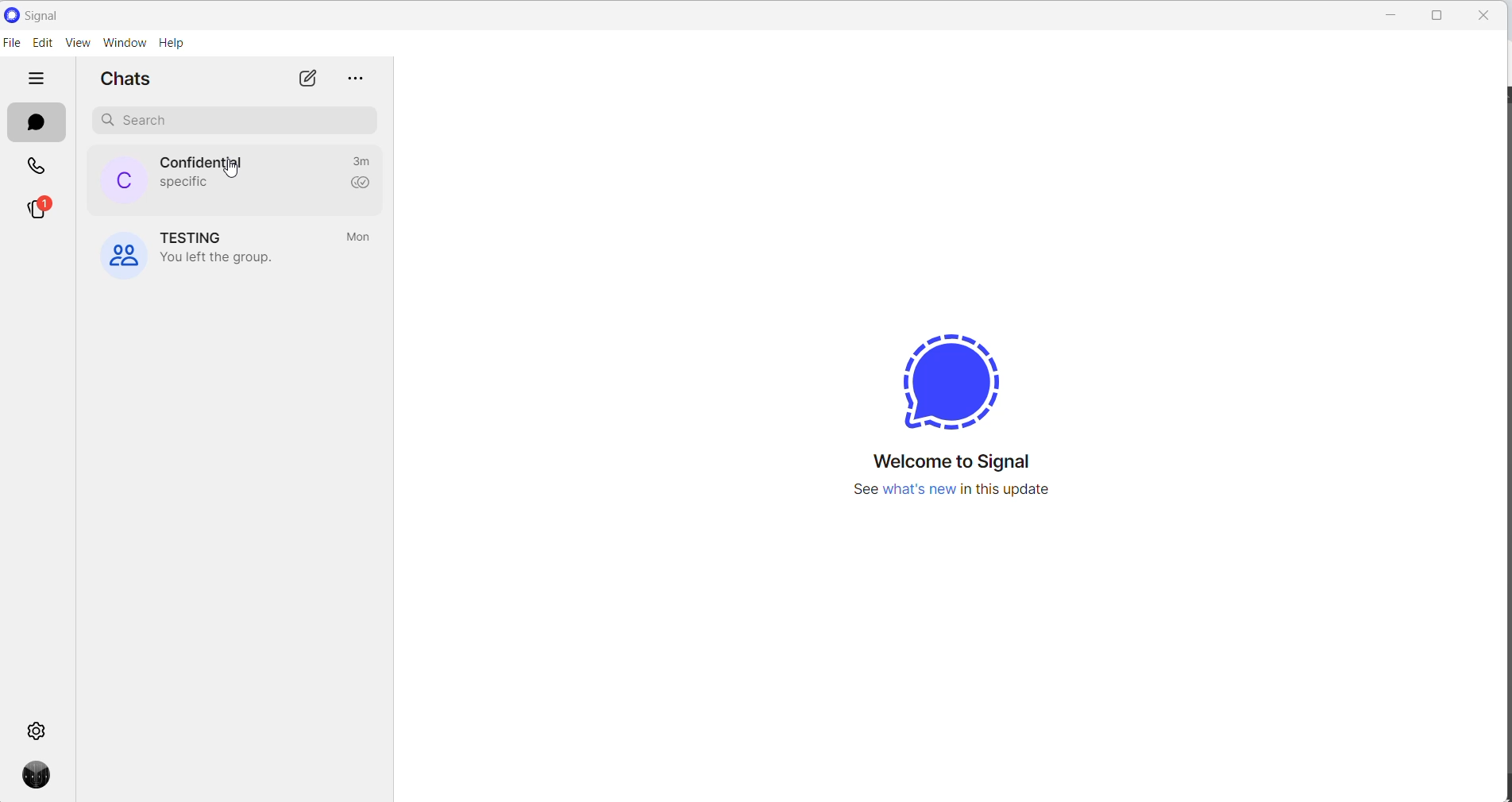 The image size is (1512, 802). What do you see at coordinates (36, 122) in the screenshot?
I see `chats` at bounding box center [36, 122].